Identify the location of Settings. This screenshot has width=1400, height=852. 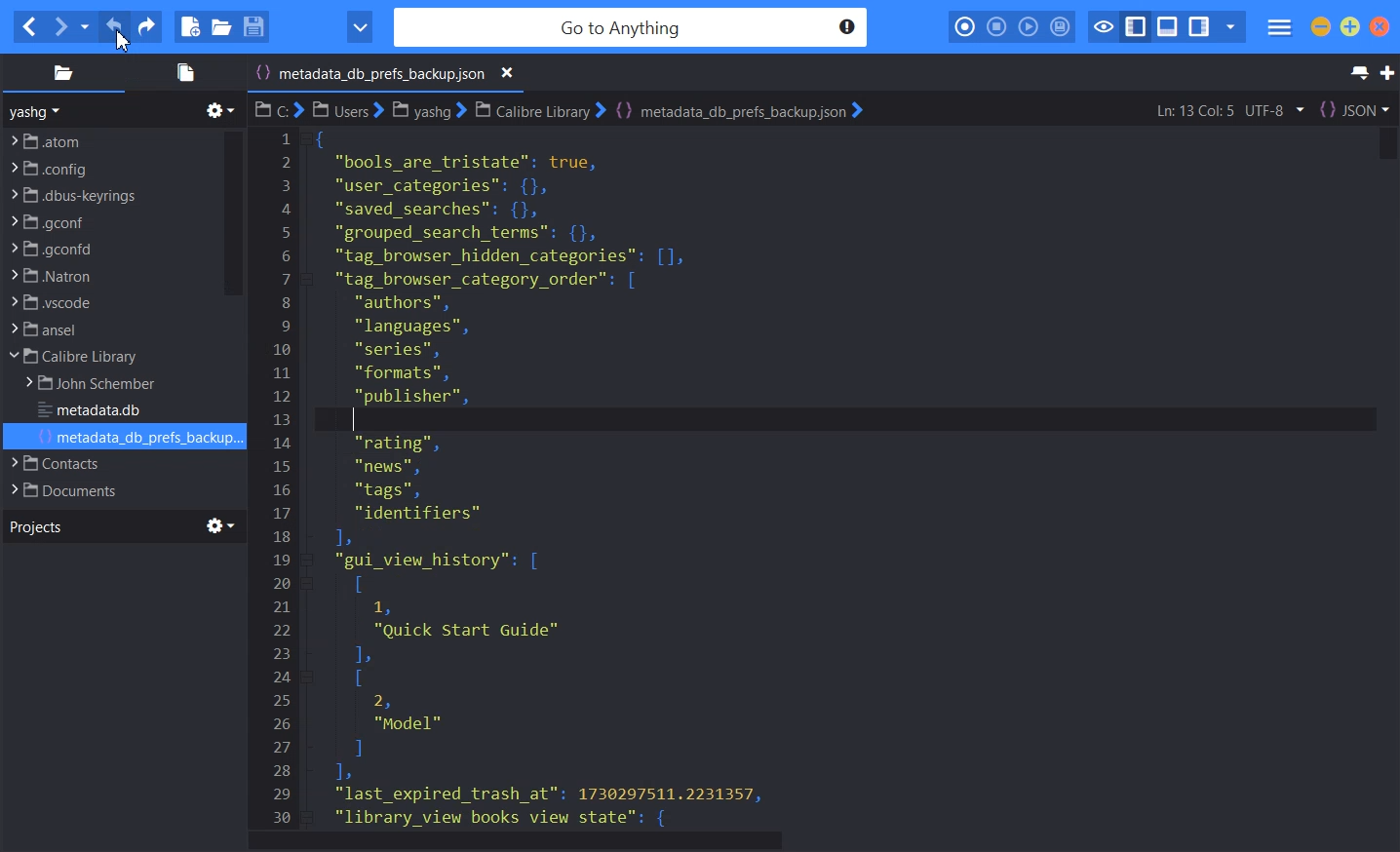
(221, 525).